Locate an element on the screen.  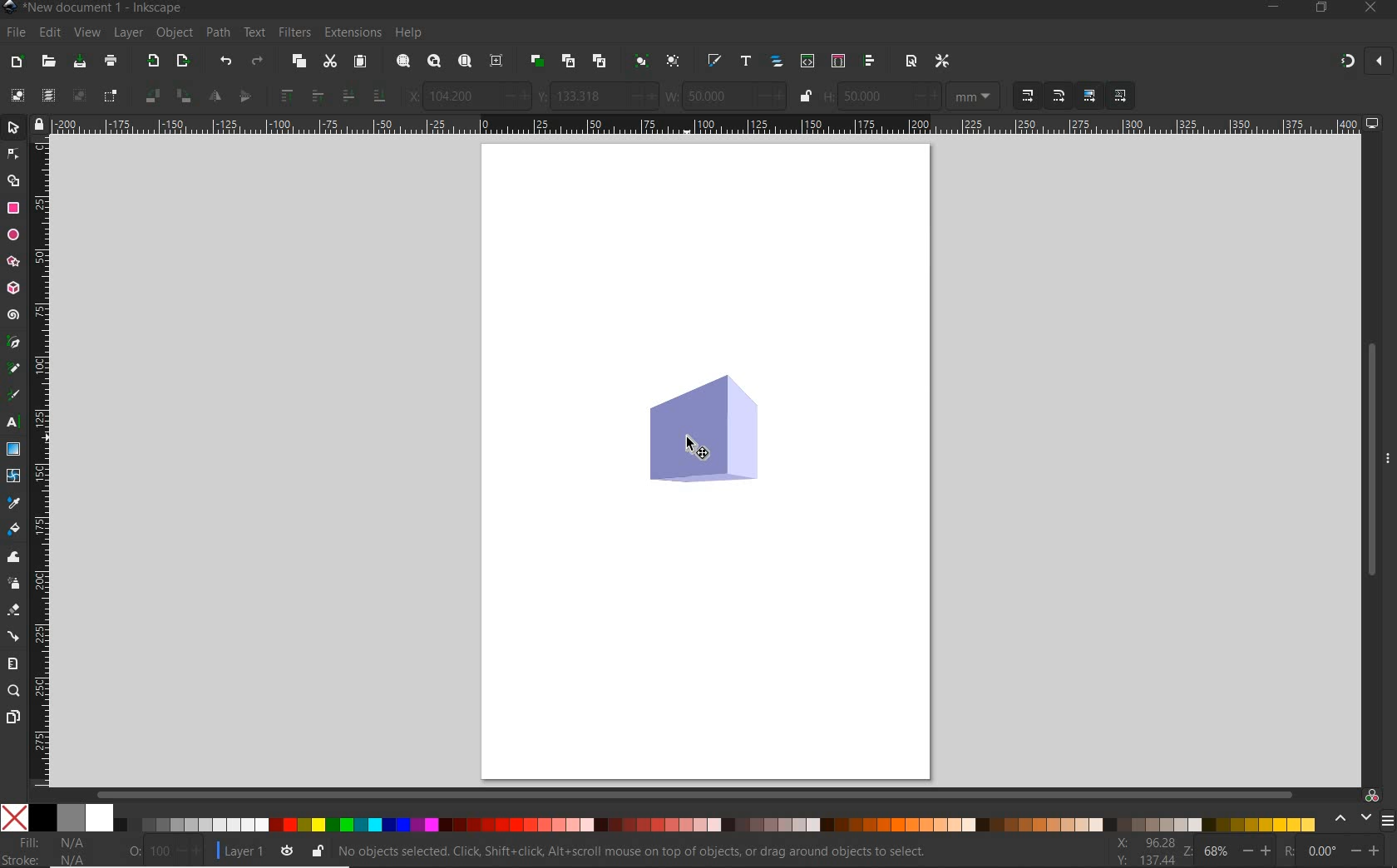
zoom drawing is located at coordinates (434, 60).